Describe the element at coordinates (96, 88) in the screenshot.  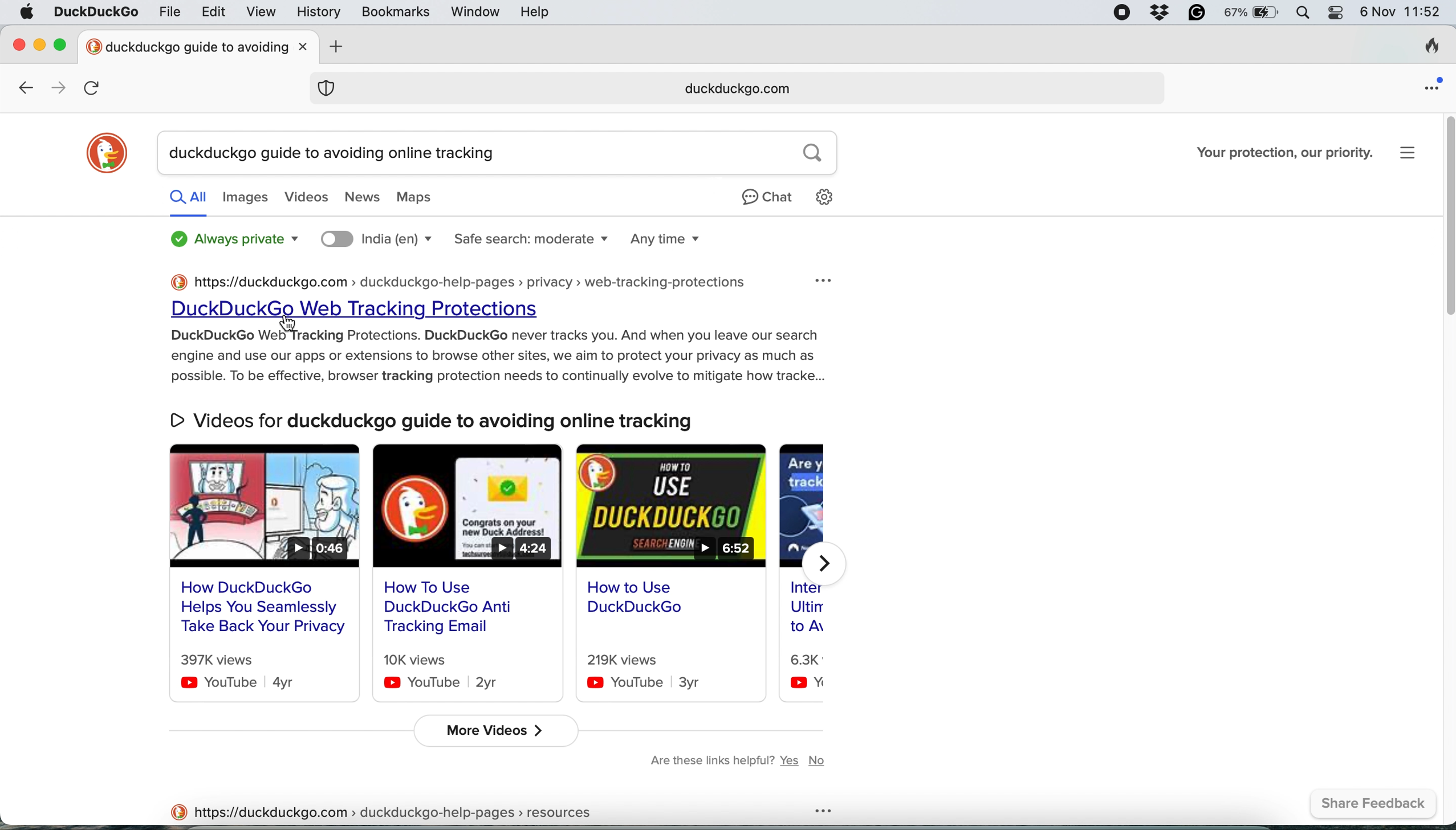
I see `refresh` at that location.